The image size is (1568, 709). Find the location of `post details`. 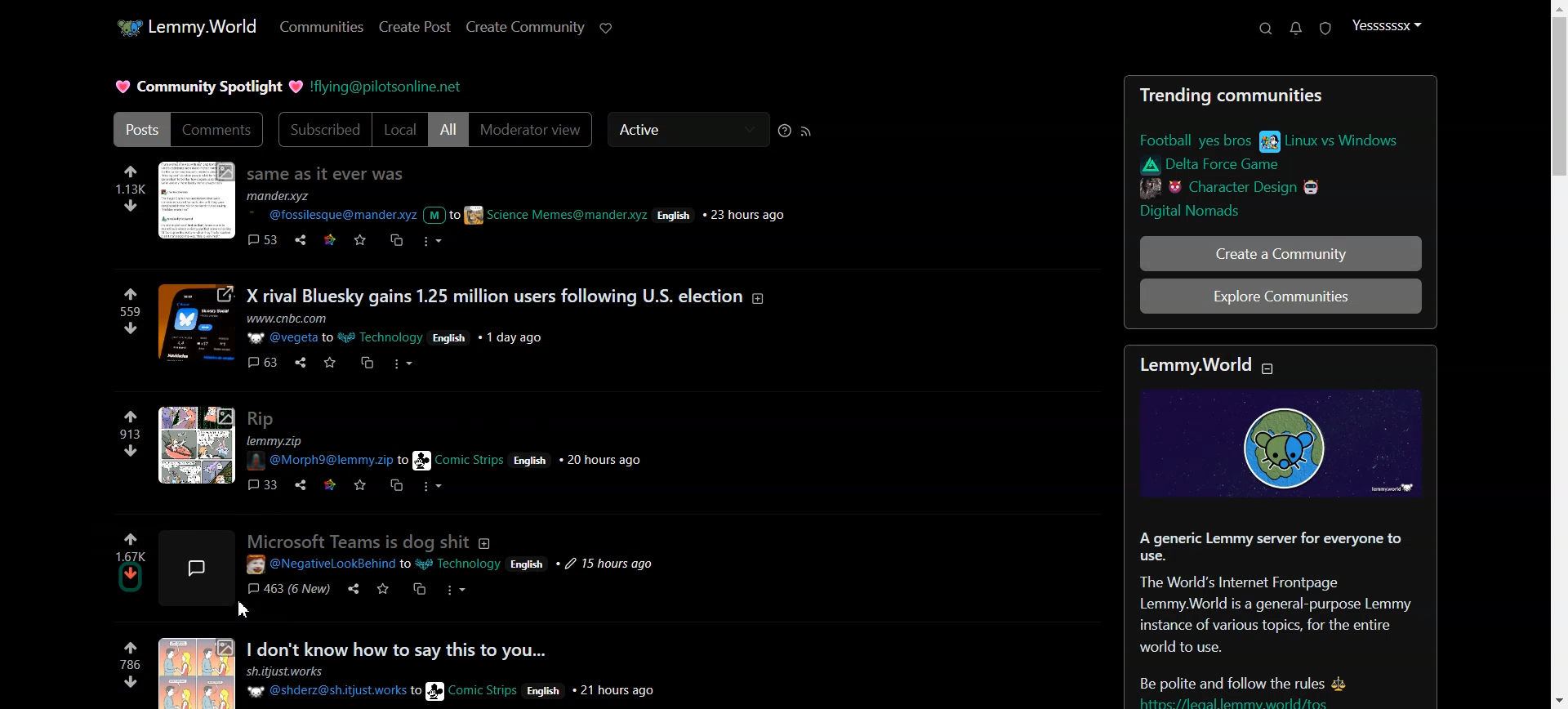

post details is located at coordinates (406, 328).